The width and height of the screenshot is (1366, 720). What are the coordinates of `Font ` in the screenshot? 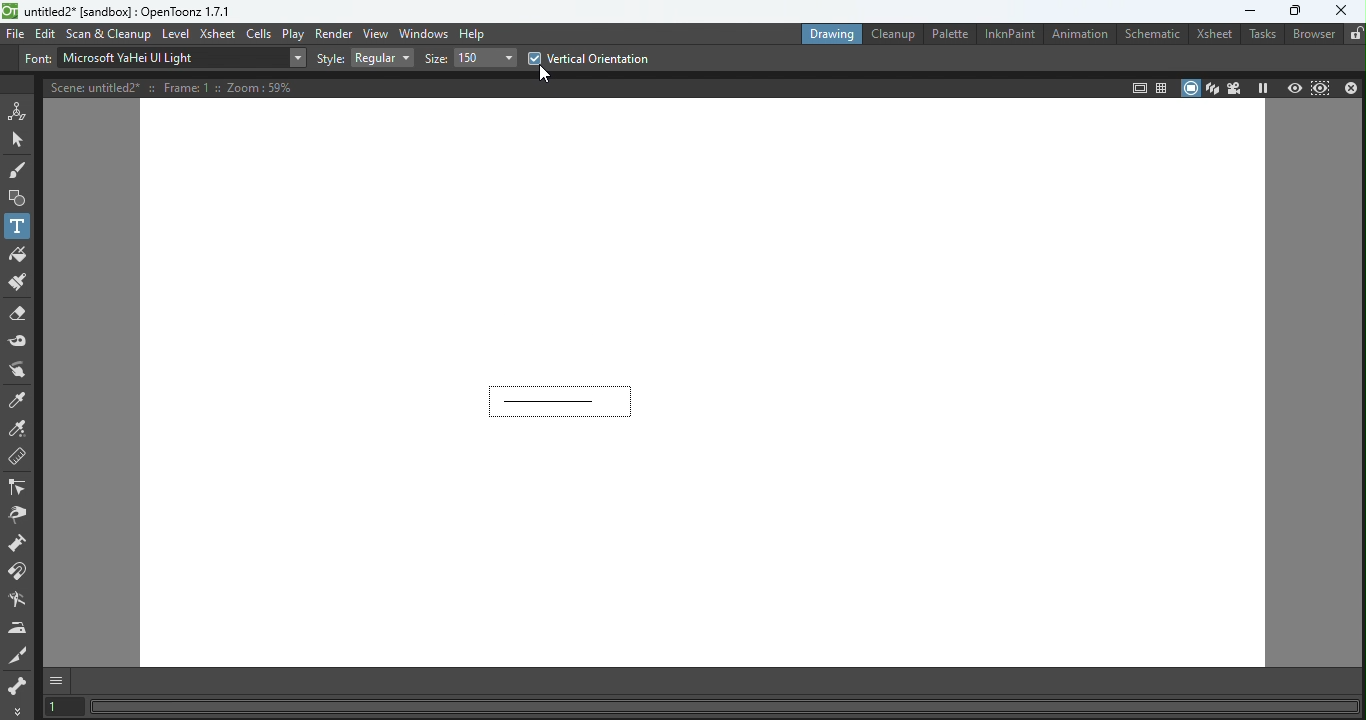 It's located at (36, 59).